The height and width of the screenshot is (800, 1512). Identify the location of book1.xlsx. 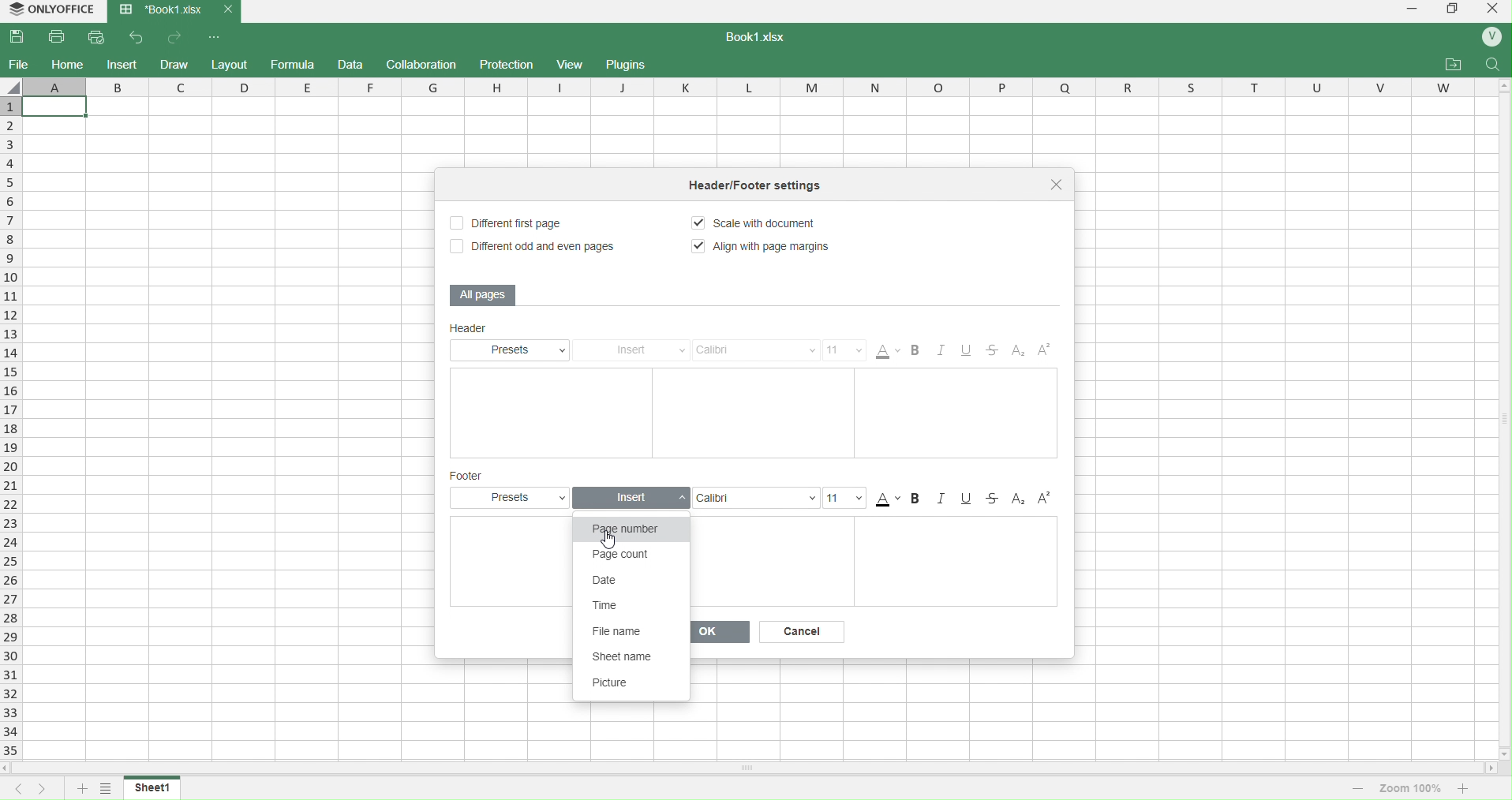
(764, 39).